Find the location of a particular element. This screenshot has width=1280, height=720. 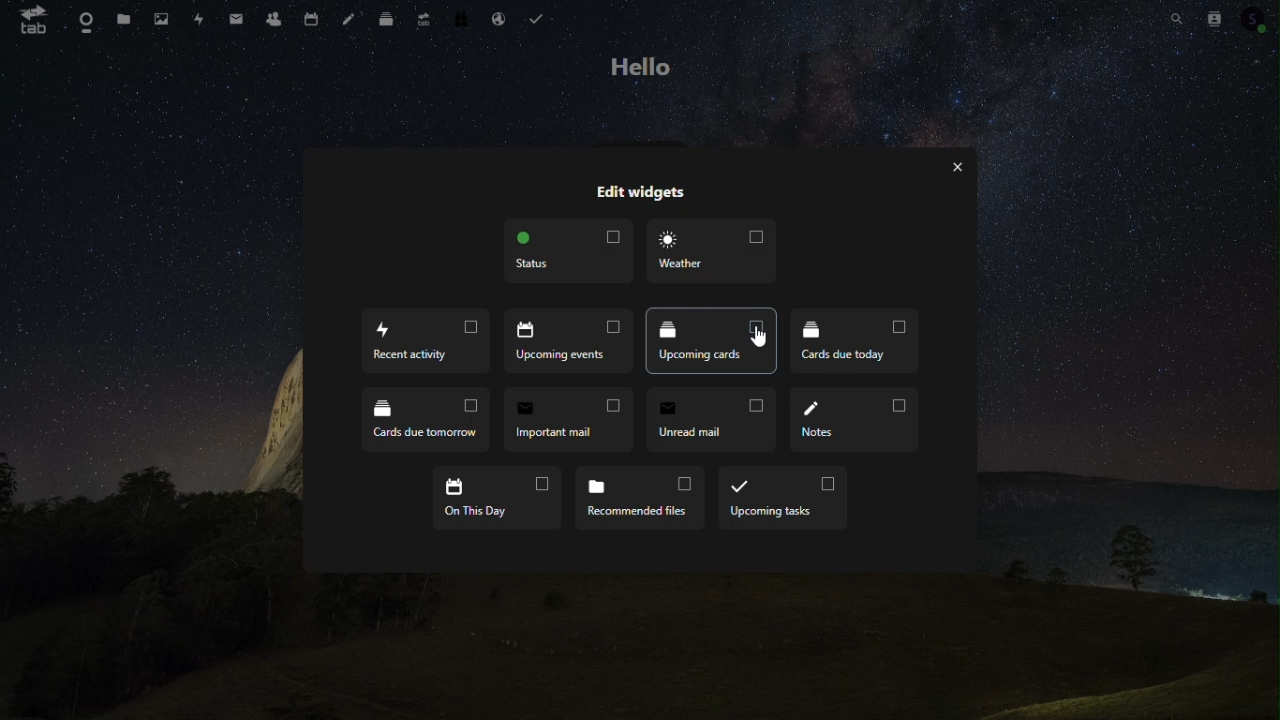

Upcoming cards is located at coordinates (711, 342).